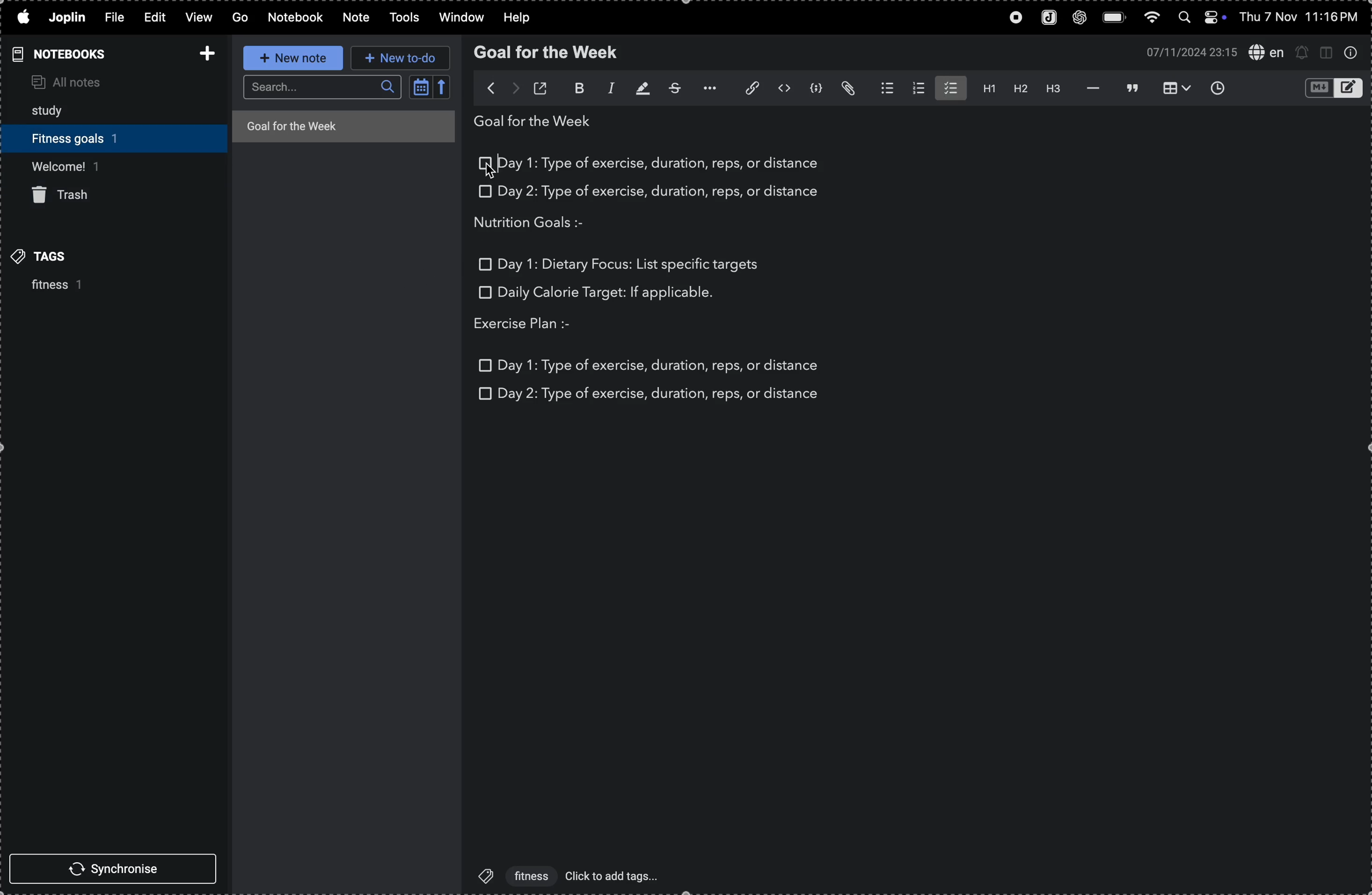 This screenshot has width=1372, height=895. What do you see at coordinates (985, 89) in the screenshot?
I see `heading 1` at bounding box center [985, 89].